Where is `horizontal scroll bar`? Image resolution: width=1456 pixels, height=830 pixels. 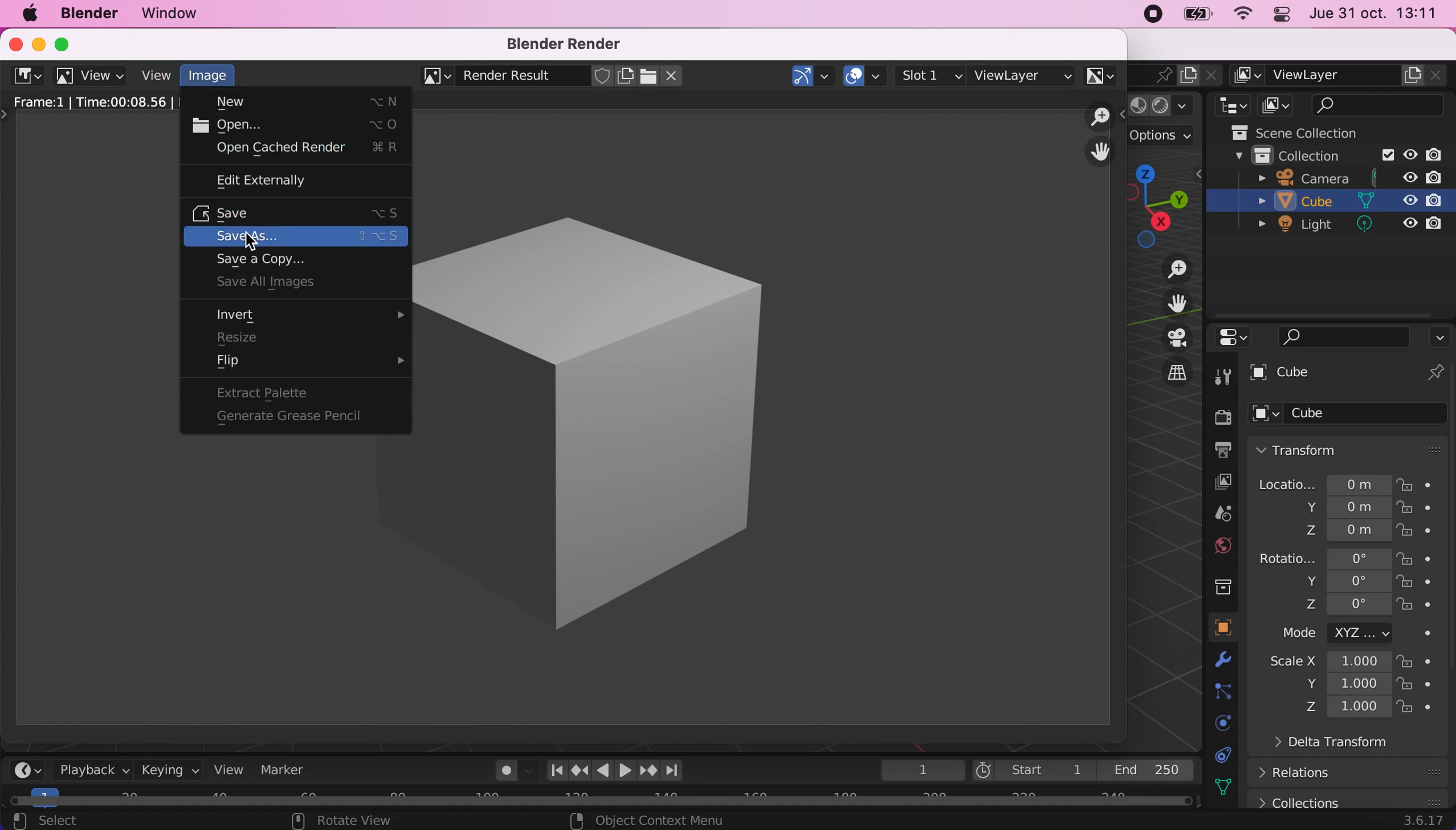
horizontal scroll bar is located at coordinates (607, 798).